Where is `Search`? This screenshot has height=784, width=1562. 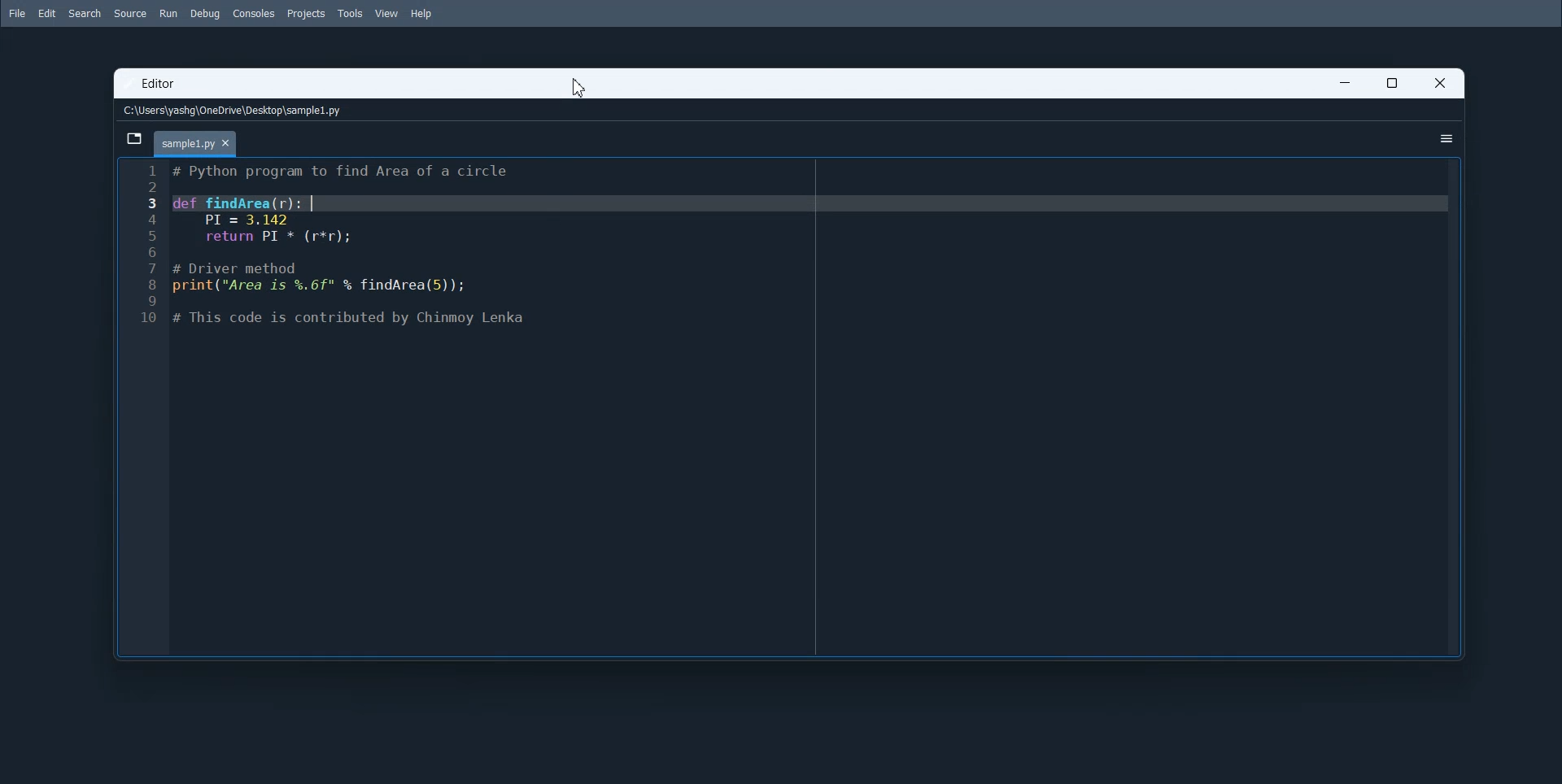 Search is located at coordinates (85, 14).